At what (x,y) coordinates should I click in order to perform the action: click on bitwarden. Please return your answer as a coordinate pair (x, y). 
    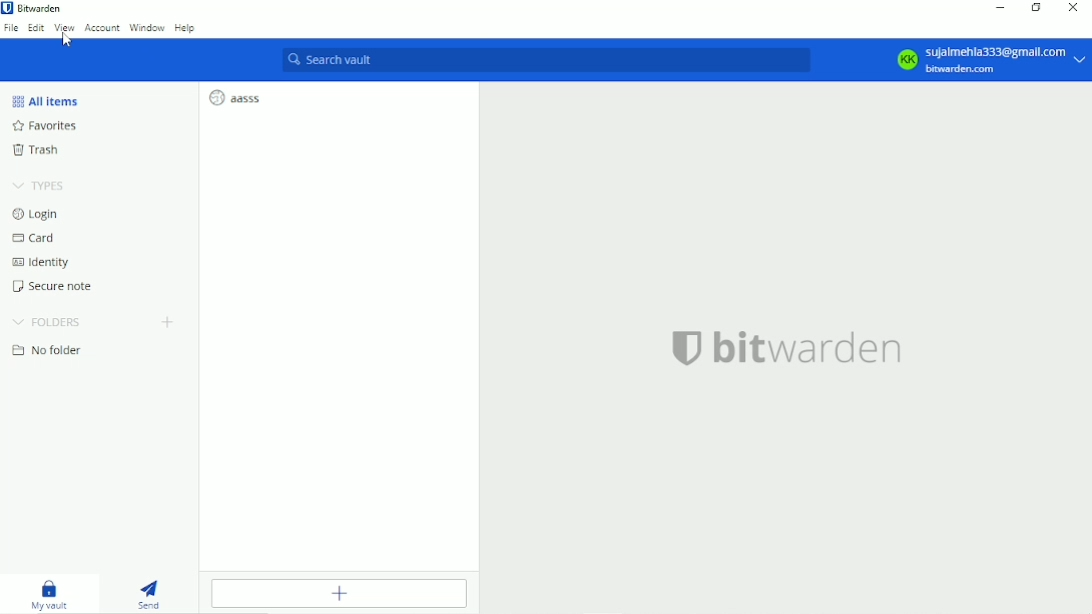
    Looking at the image, I should click on (812, 349).